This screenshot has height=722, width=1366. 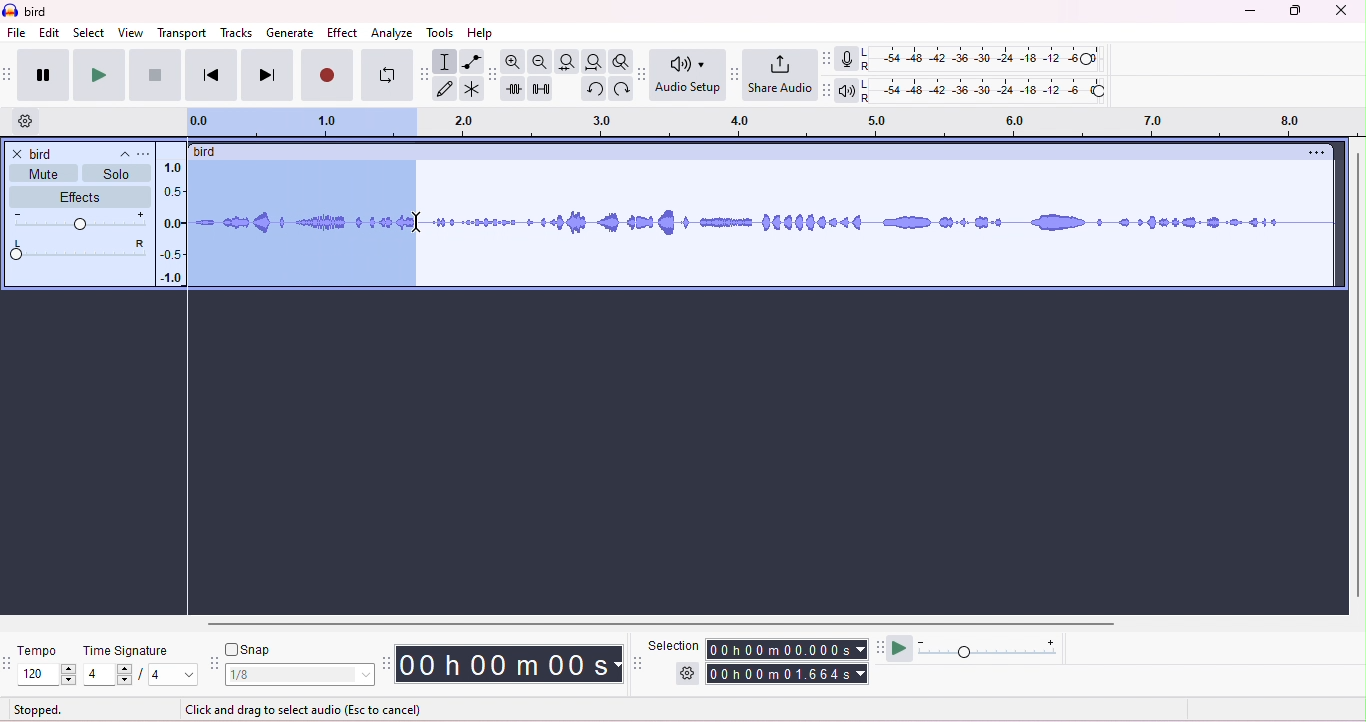 I want to click on effect, so click(x=344, y=34).